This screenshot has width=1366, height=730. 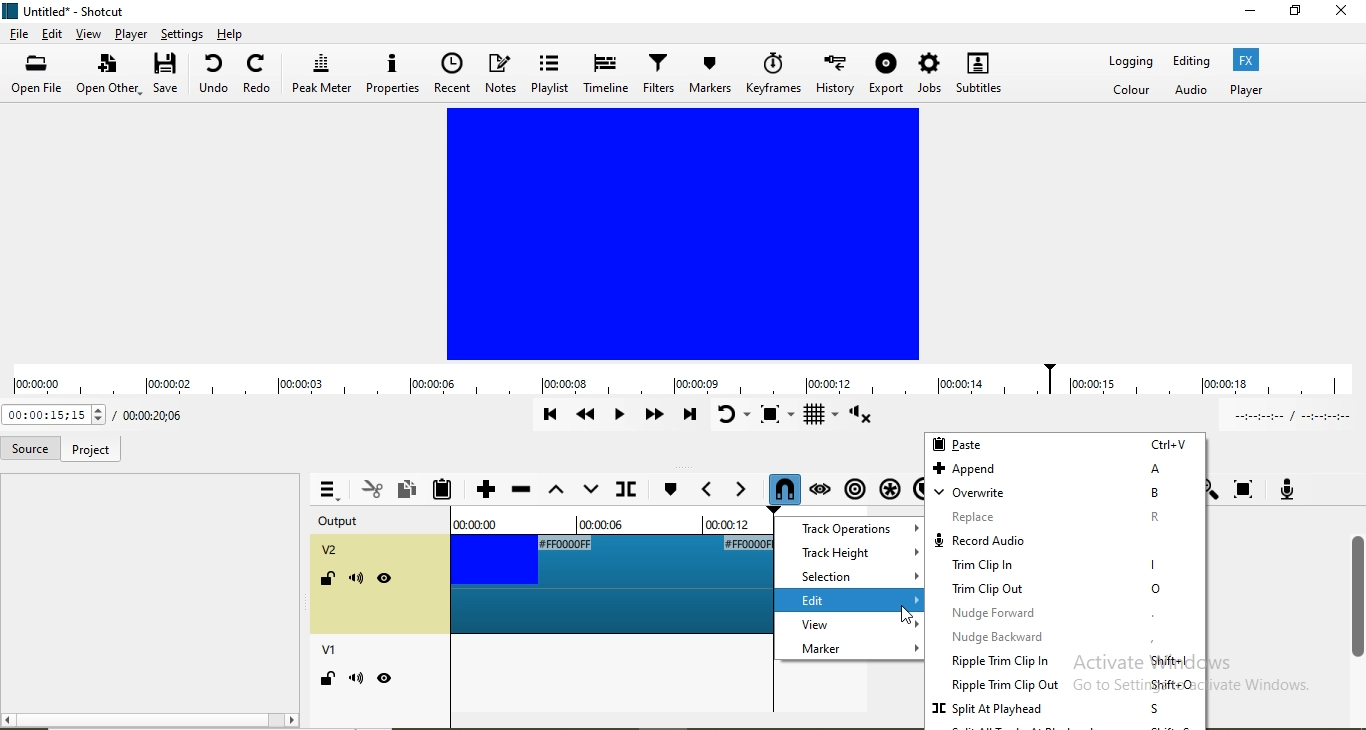 What do you see at coordinates (358, 582) in the screenshot?
I see `mute` at bounding box center [358, 582].